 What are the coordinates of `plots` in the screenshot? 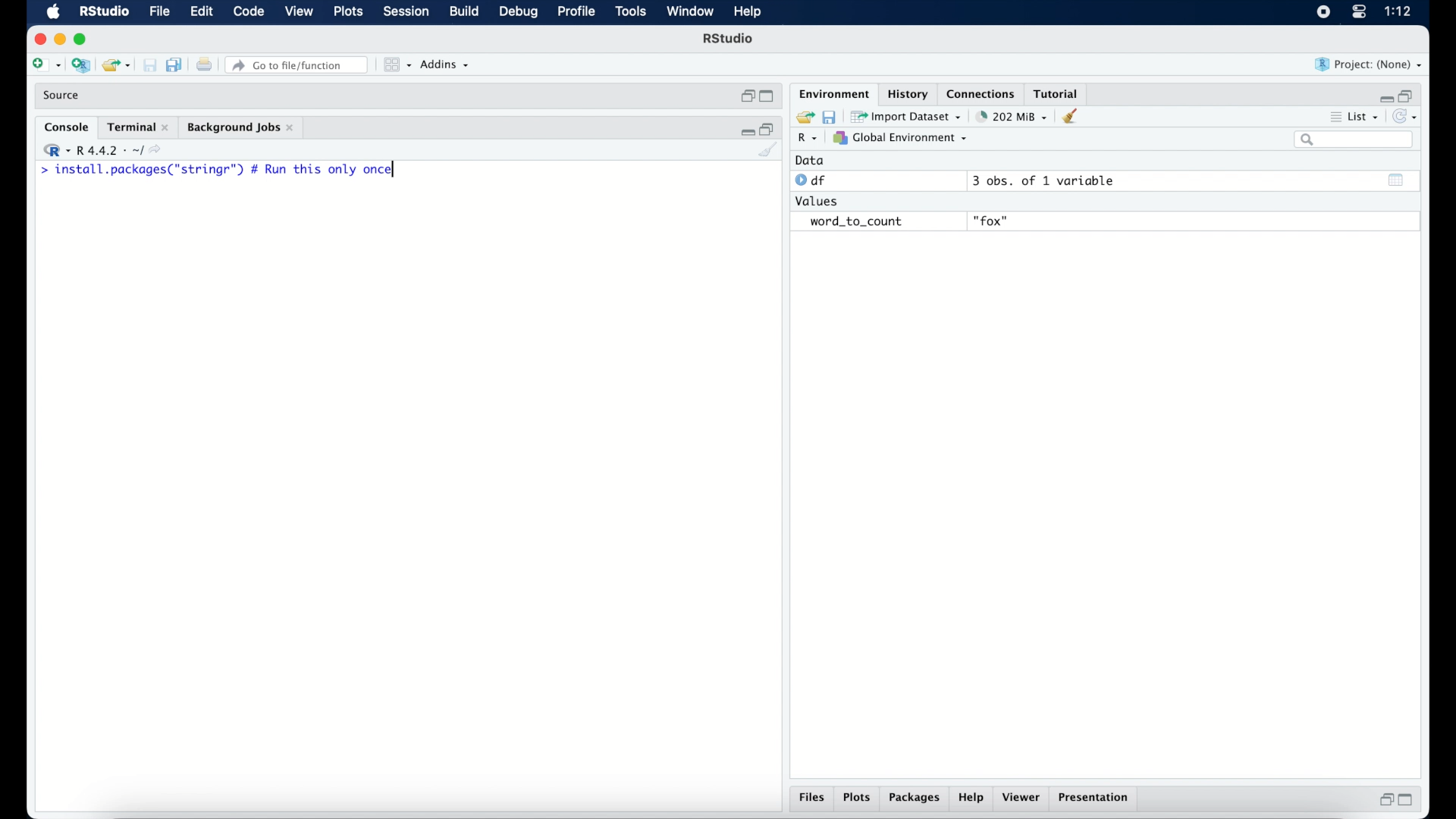 It's located at (350, 12).